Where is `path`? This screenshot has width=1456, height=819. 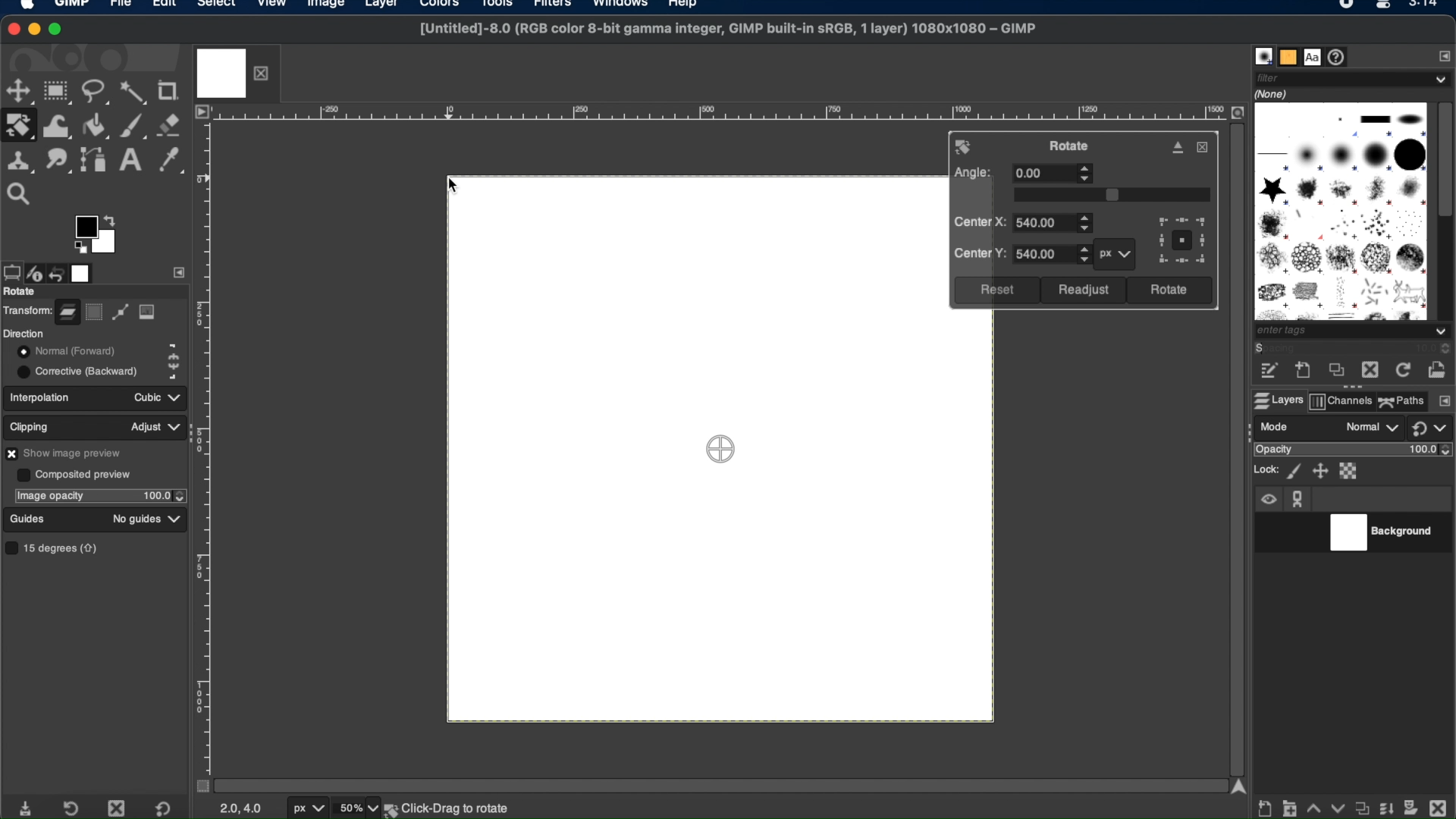 path is located at coordinates (120, 314).